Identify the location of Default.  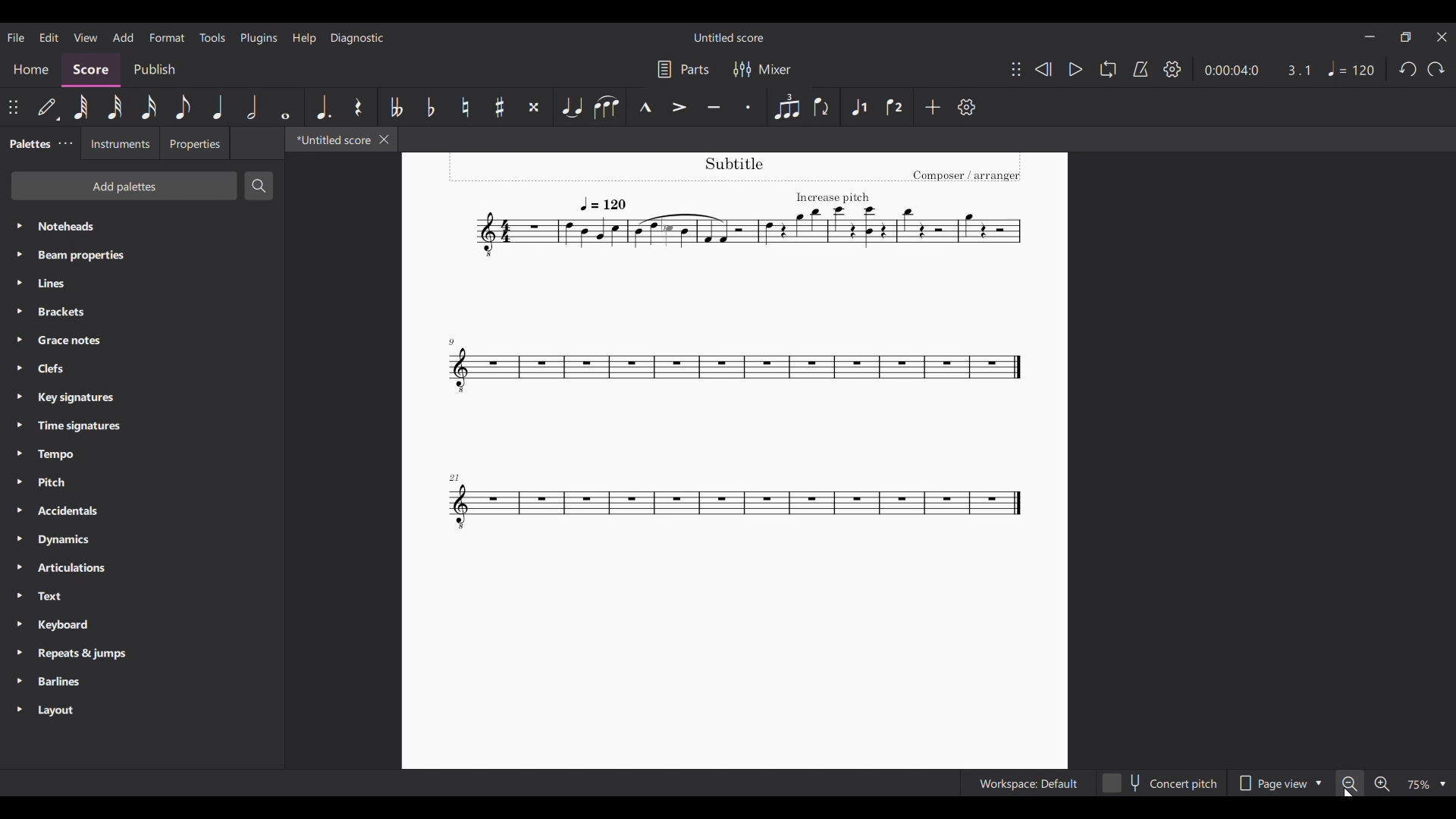
(48, 107).